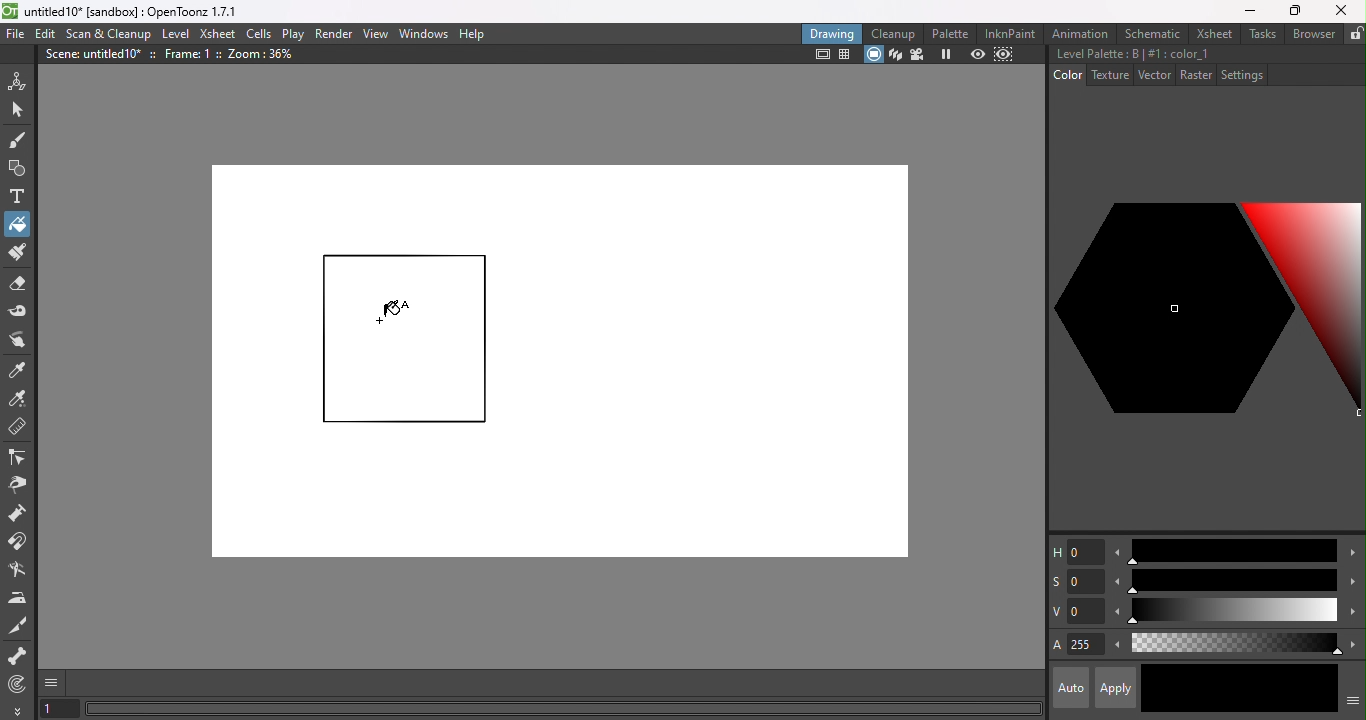 The height and width of the screenshot is (720, 1366). Describe the element at coordinates (59, 710) in the screenshot. I see `Set the current frame` at that location.